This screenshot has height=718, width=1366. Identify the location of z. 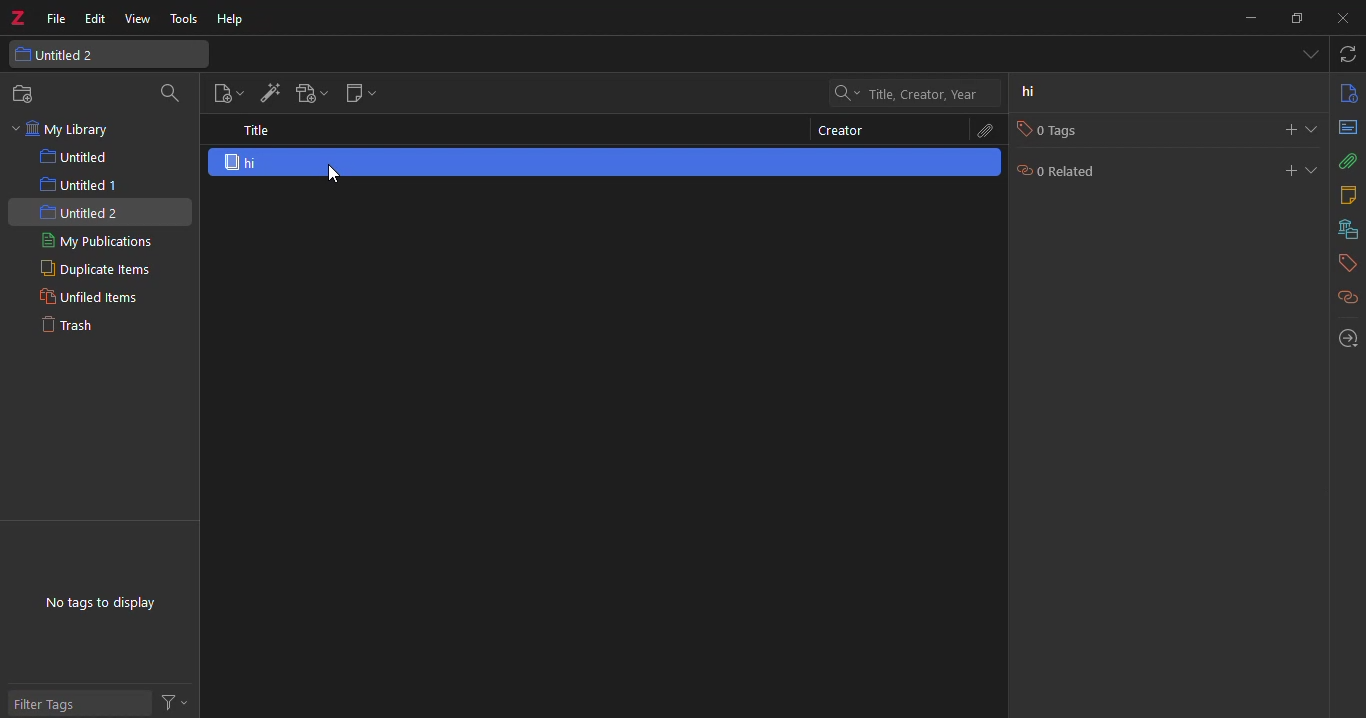
(21, 19).